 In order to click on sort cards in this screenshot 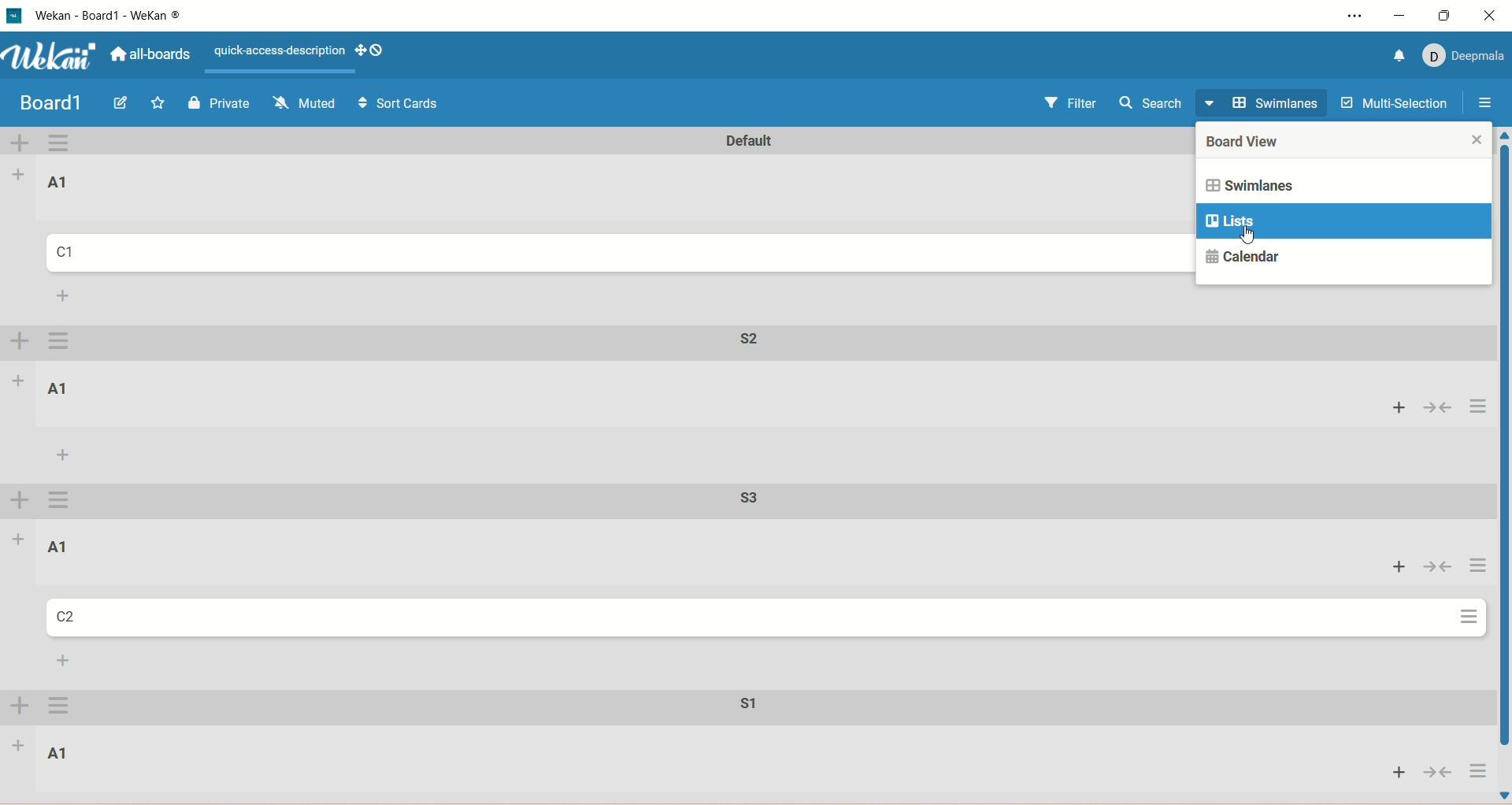, I will do `click(398, 106)`.